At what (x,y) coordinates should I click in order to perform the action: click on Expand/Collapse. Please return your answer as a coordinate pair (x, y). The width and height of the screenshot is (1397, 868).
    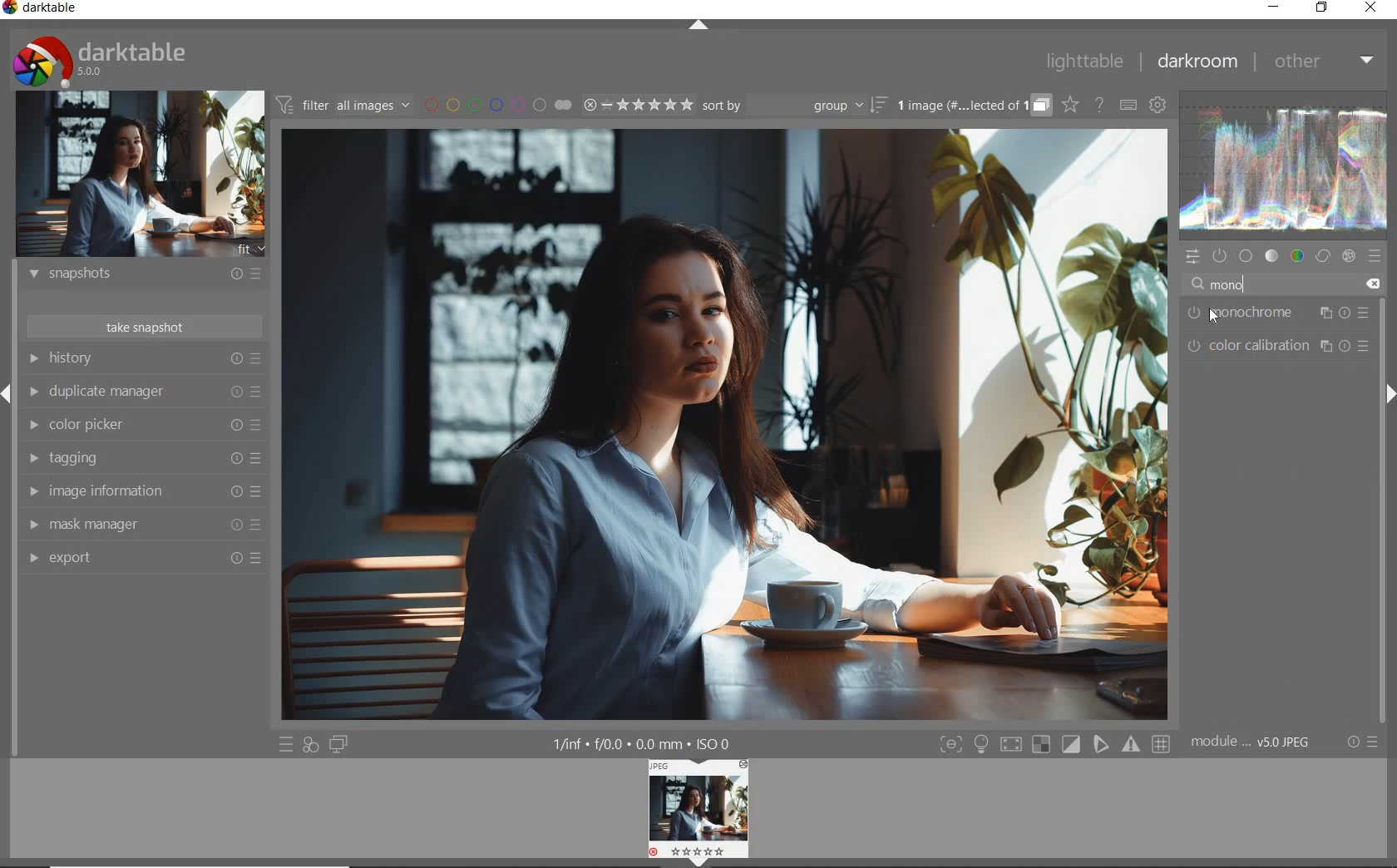
    Looking at the image, I should click on (8, 392).